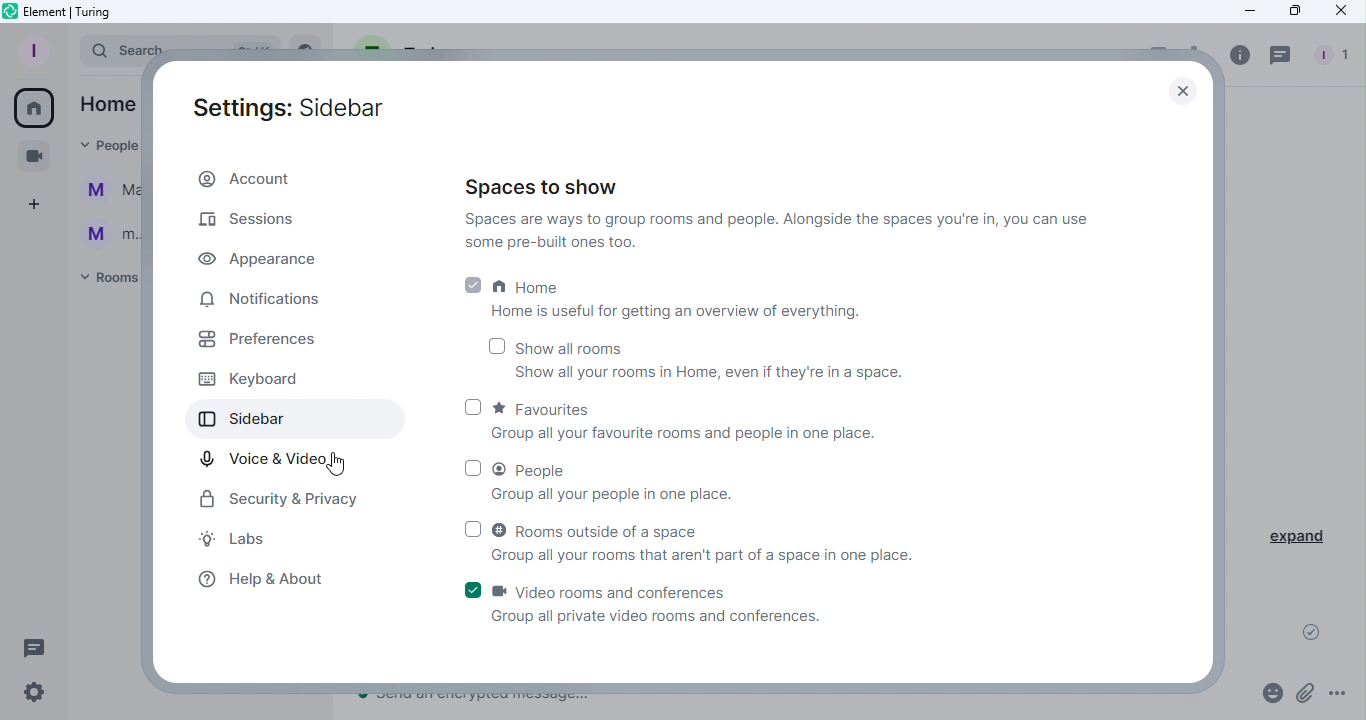 Image resolution: width=1366 pixels, height=720 pixels. I want to click on Show all rooms, so click(725, 357).